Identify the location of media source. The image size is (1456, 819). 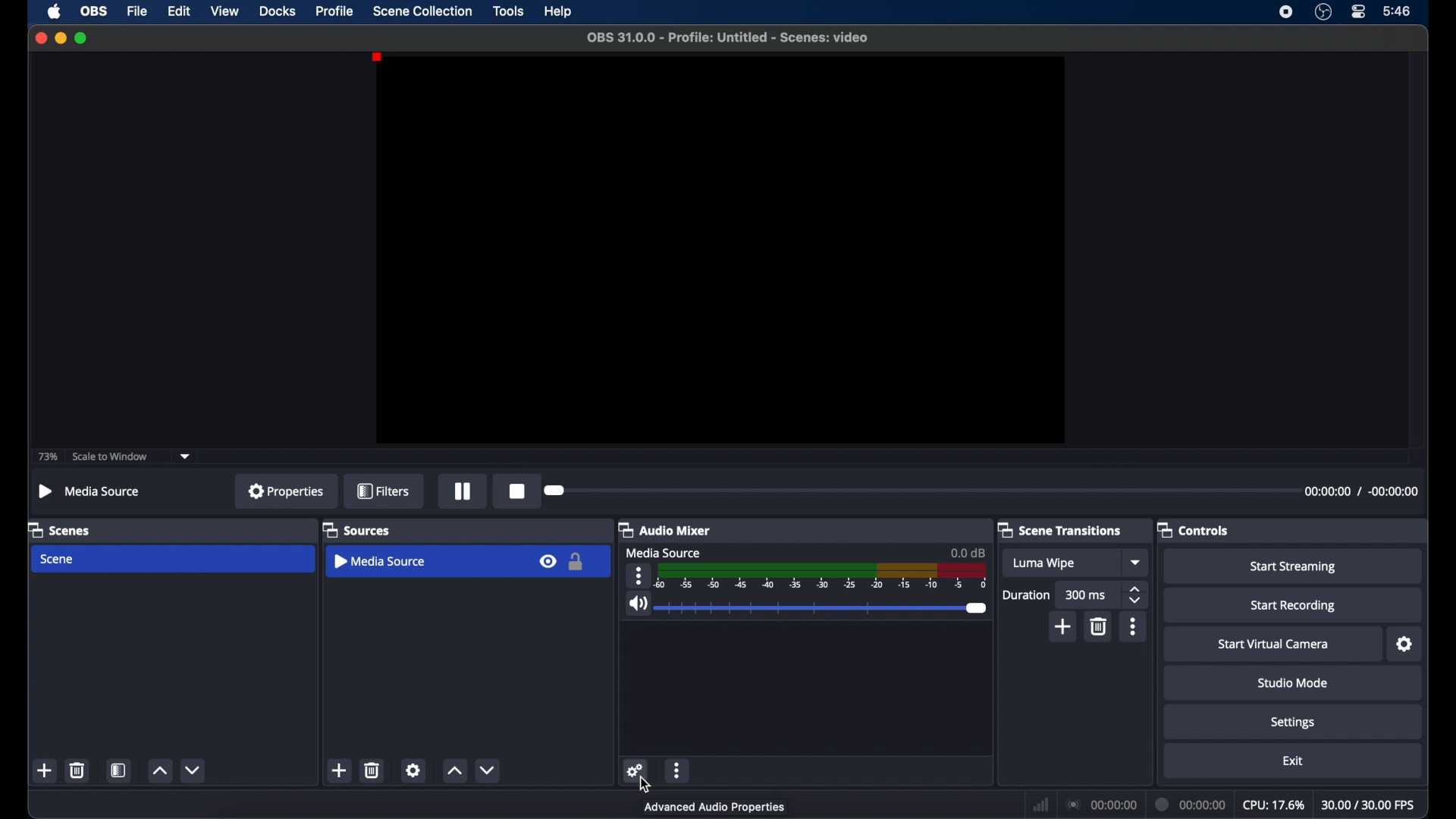
(664, 552).